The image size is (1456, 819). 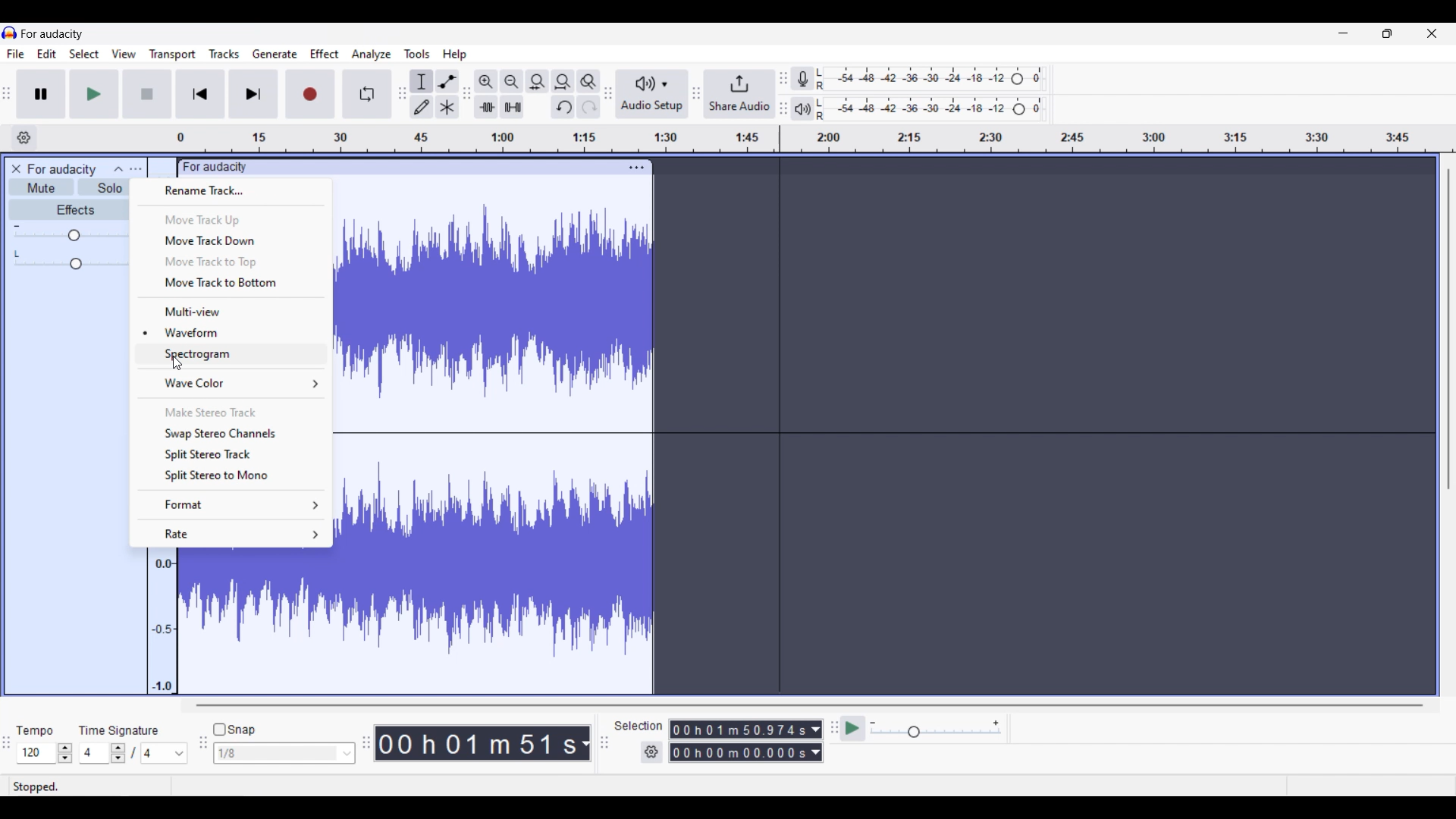 What do you see at coordinates (231, 504) in the screenshot?
I see `Format options ` at bounding box center [231, 504].